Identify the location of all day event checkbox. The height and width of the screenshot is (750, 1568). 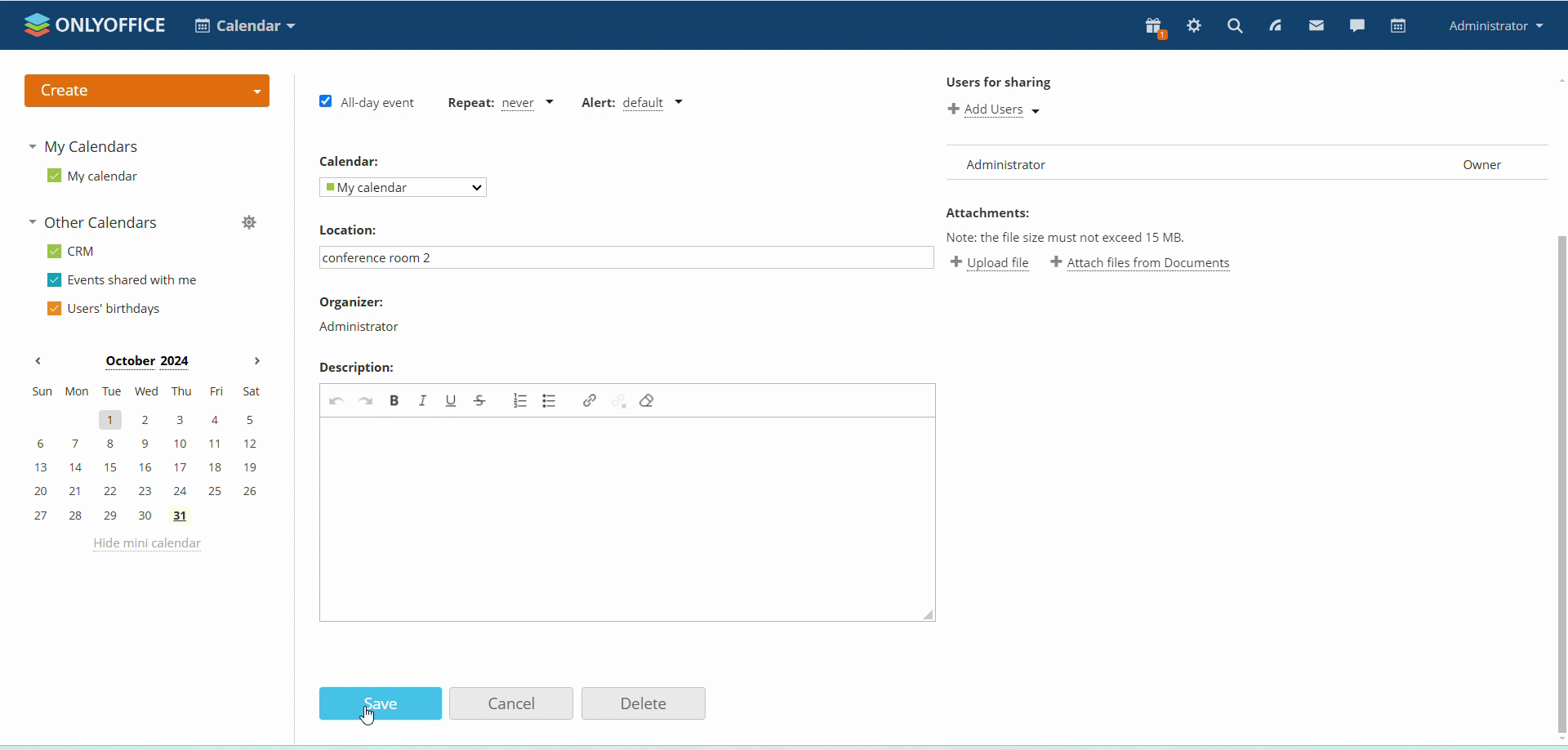
(367, 100).